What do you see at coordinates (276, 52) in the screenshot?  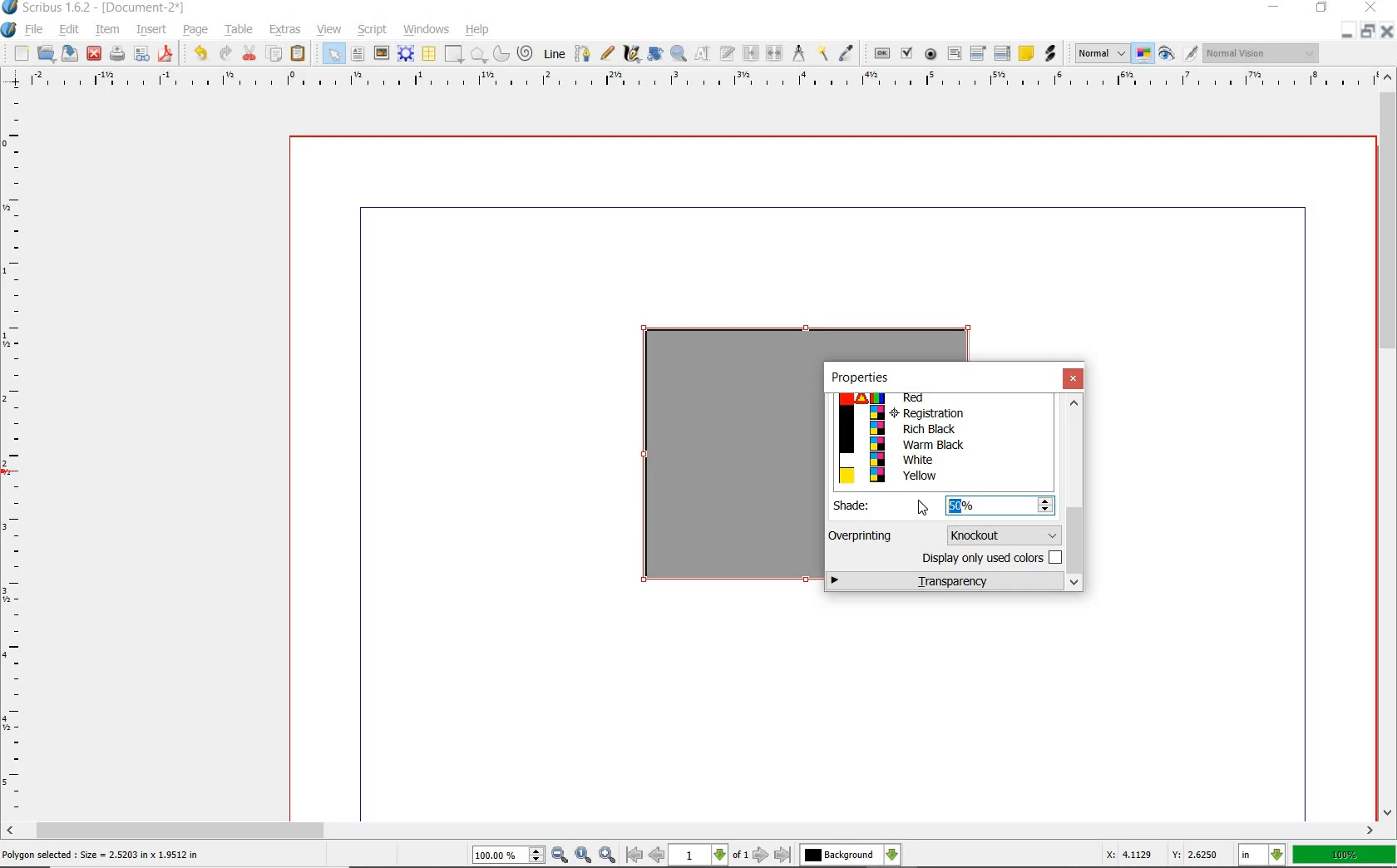 I see `copy` at bounding box center [276, 52].